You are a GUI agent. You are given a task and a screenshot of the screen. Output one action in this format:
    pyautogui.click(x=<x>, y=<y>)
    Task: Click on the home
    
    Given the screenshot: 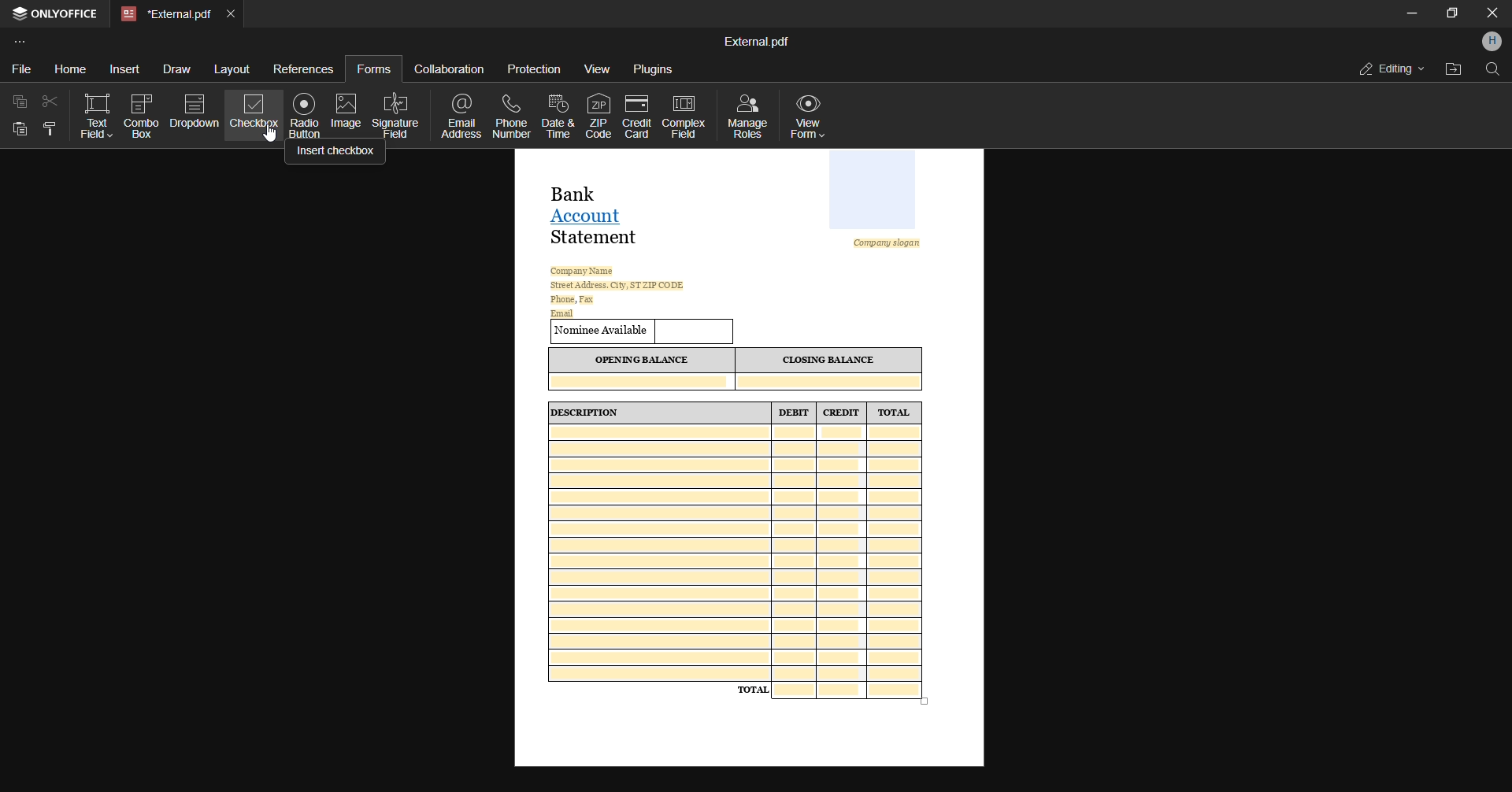 What is the action you would take?
    pyautogui.click(x=65, y=66)
    